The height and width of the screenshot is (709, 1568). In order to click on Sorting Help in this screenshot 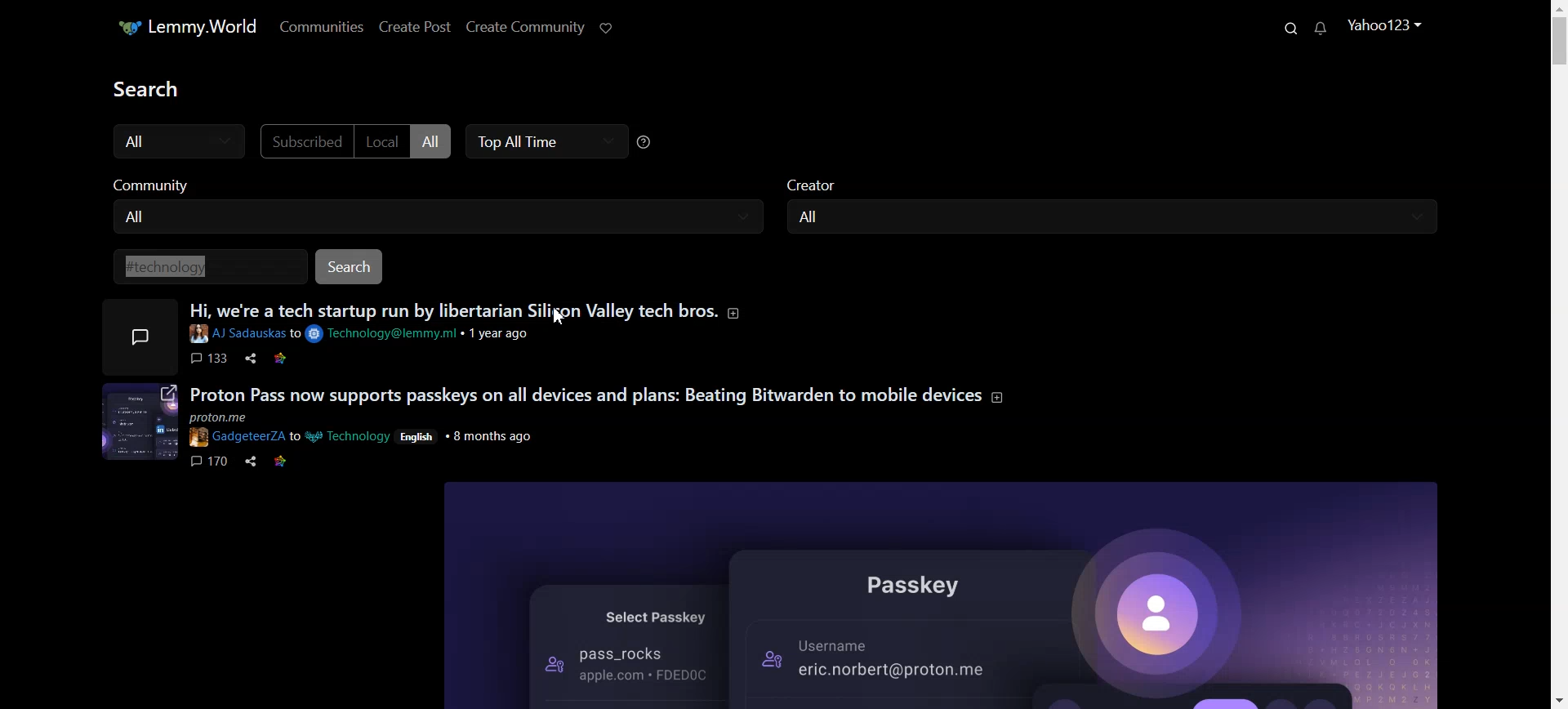, I will do `click(644, 141)`.